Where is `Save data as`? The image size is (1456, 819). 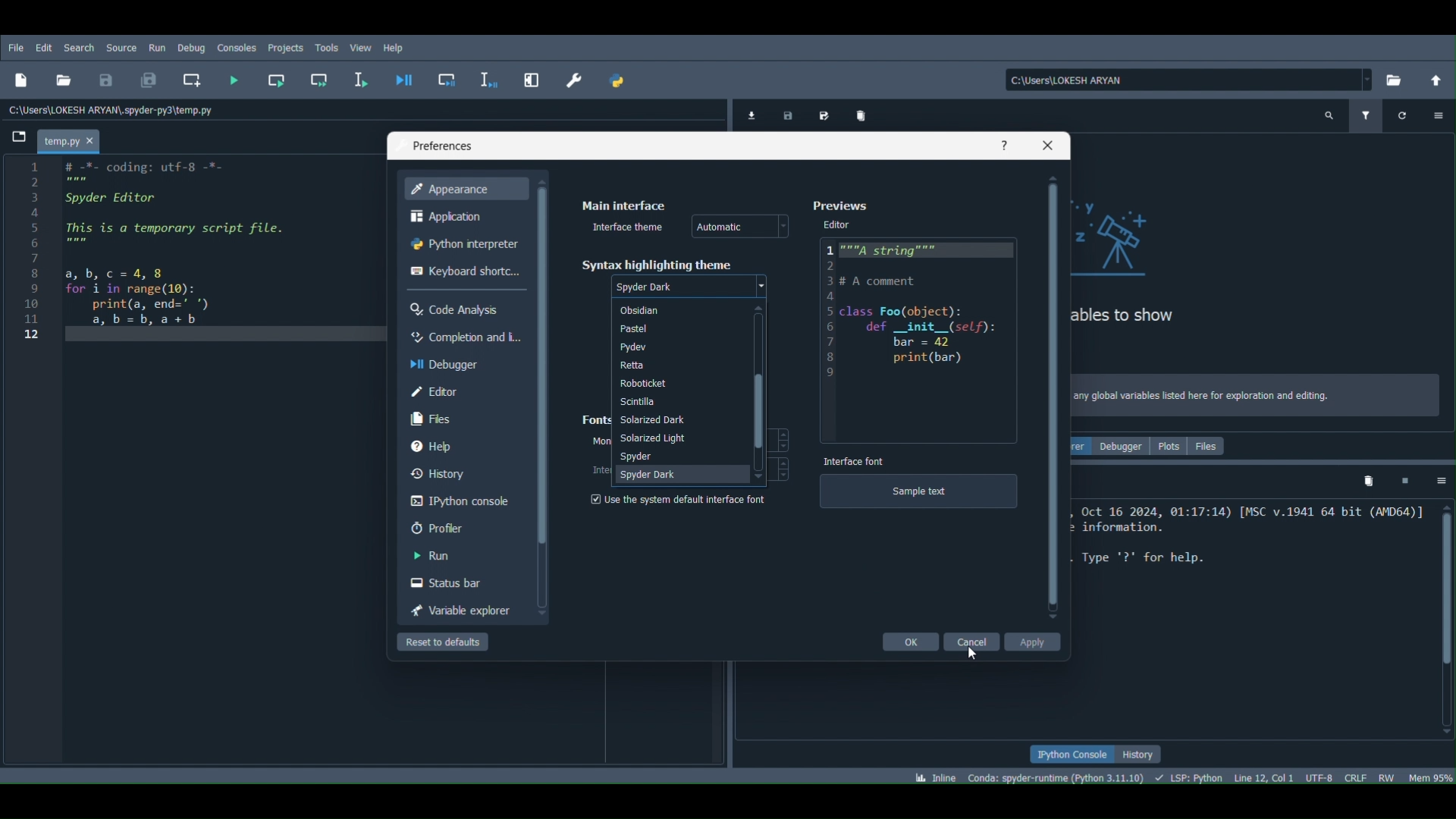
Save data as is located at coordinates (824, 114).